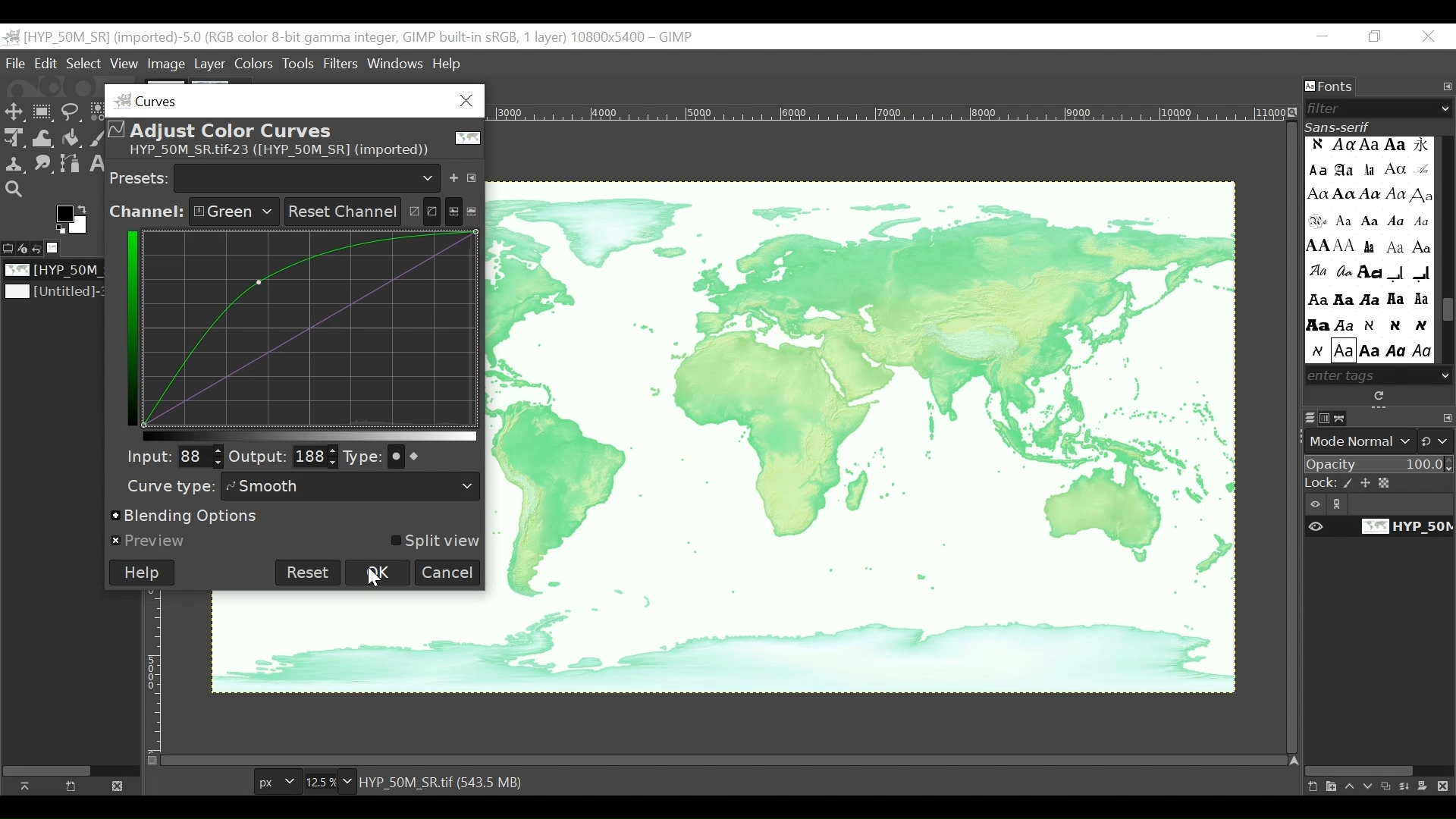 The height and width of the screenshot is (819, 1456). What do you see at coordinates (325, 782) in the screenshot?
I see `Zoom Factor` at bounding box center [325, 782].